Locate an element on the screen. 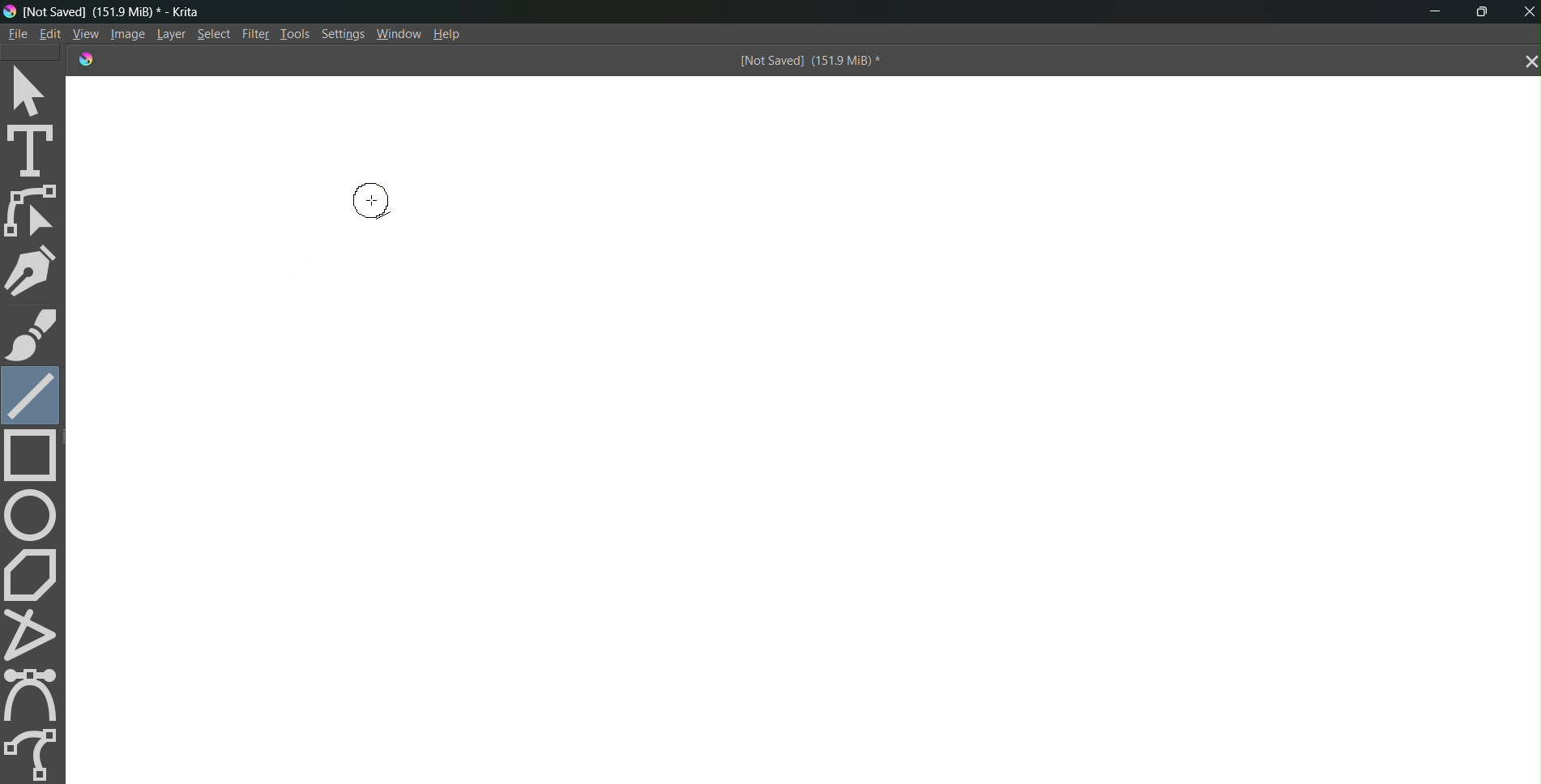  Settings is located at coordinates (344, 36).